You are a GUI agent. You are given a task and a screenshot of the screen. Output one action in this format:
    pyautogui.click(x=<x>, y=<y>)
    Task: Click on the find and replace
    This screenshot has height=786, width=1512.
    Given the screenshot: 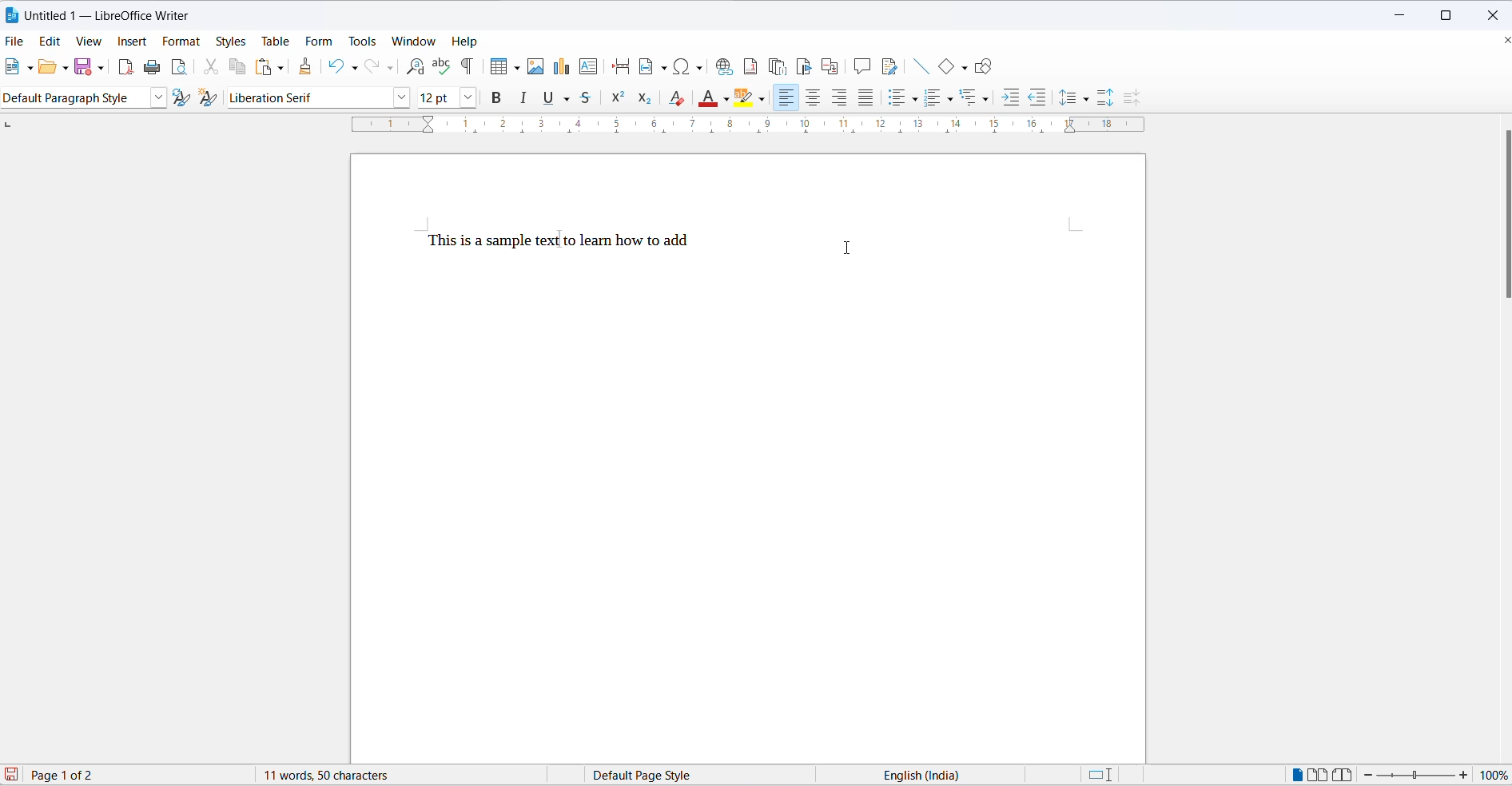 What is the action you would take?
    pyautogui.click(x=416, y=65)
    